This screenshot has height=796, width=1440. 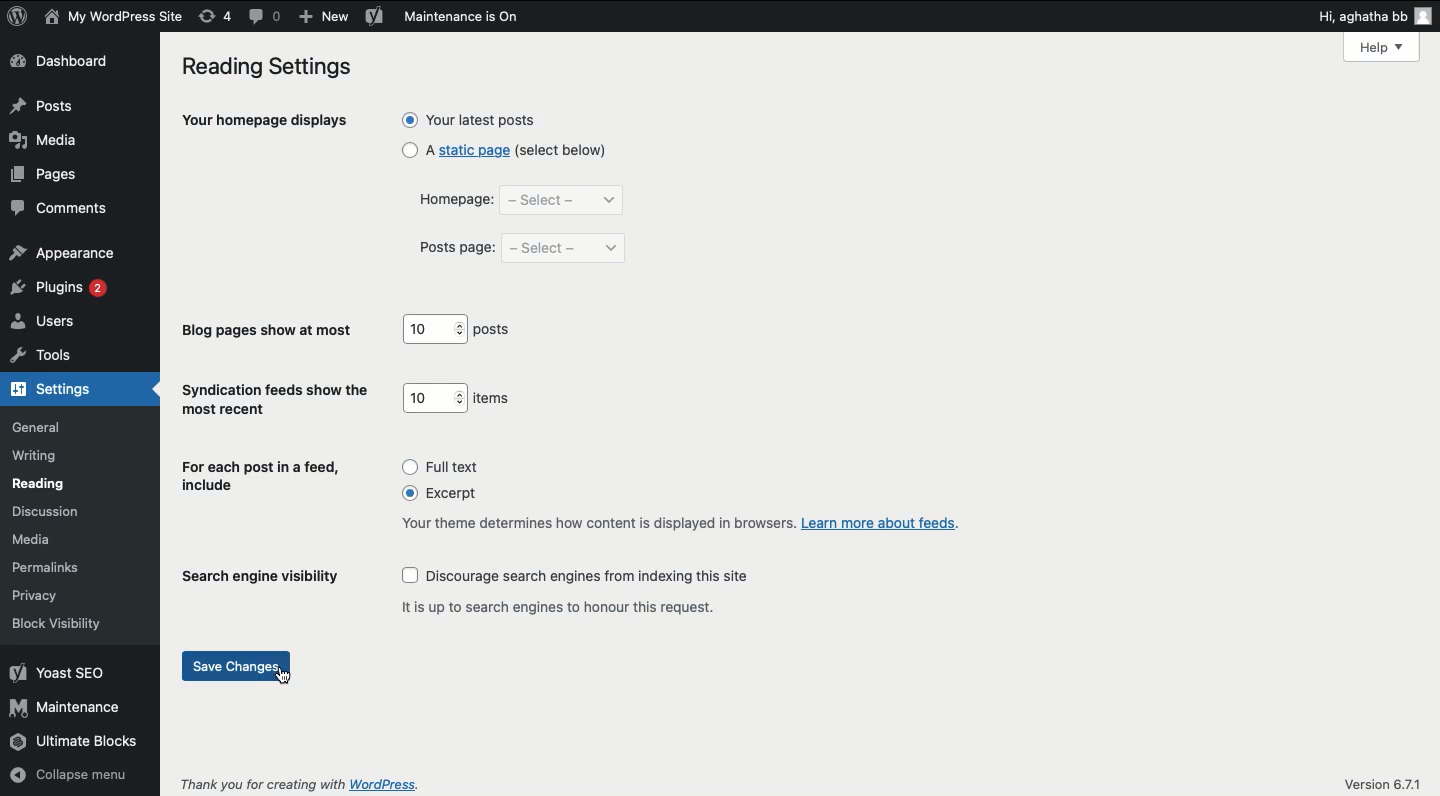 What do you see at coordinates (458, 251) in the screenshot?
I see `posts page` at bounding box center [458, 251].